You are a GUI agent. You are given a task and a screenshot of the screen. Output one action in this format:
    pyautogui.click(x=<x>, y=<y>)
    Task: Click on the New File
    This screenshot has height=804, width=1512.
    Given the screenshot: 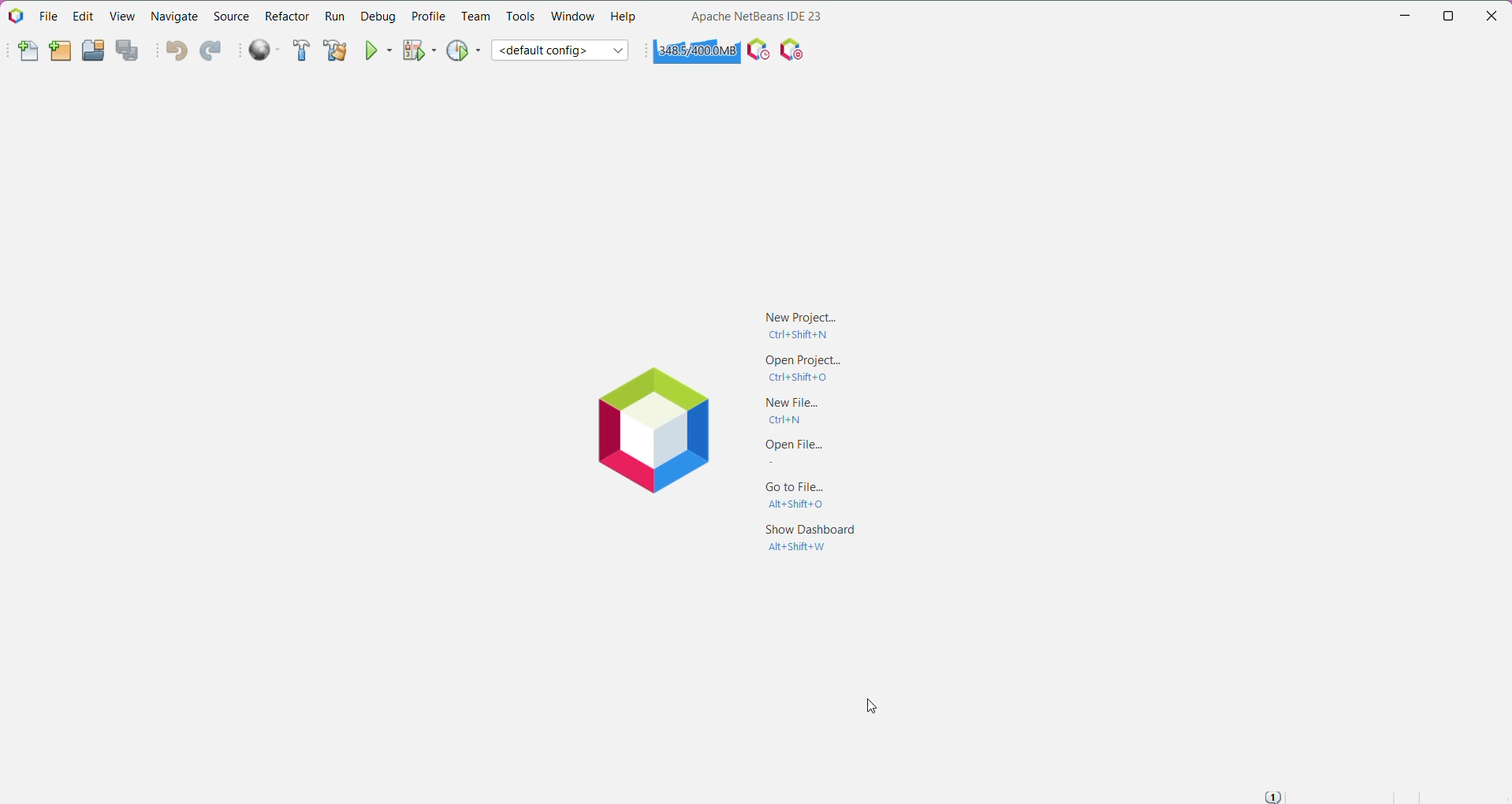 What is the action you would take?
    pyautogui.click(x=27, y=54)
    